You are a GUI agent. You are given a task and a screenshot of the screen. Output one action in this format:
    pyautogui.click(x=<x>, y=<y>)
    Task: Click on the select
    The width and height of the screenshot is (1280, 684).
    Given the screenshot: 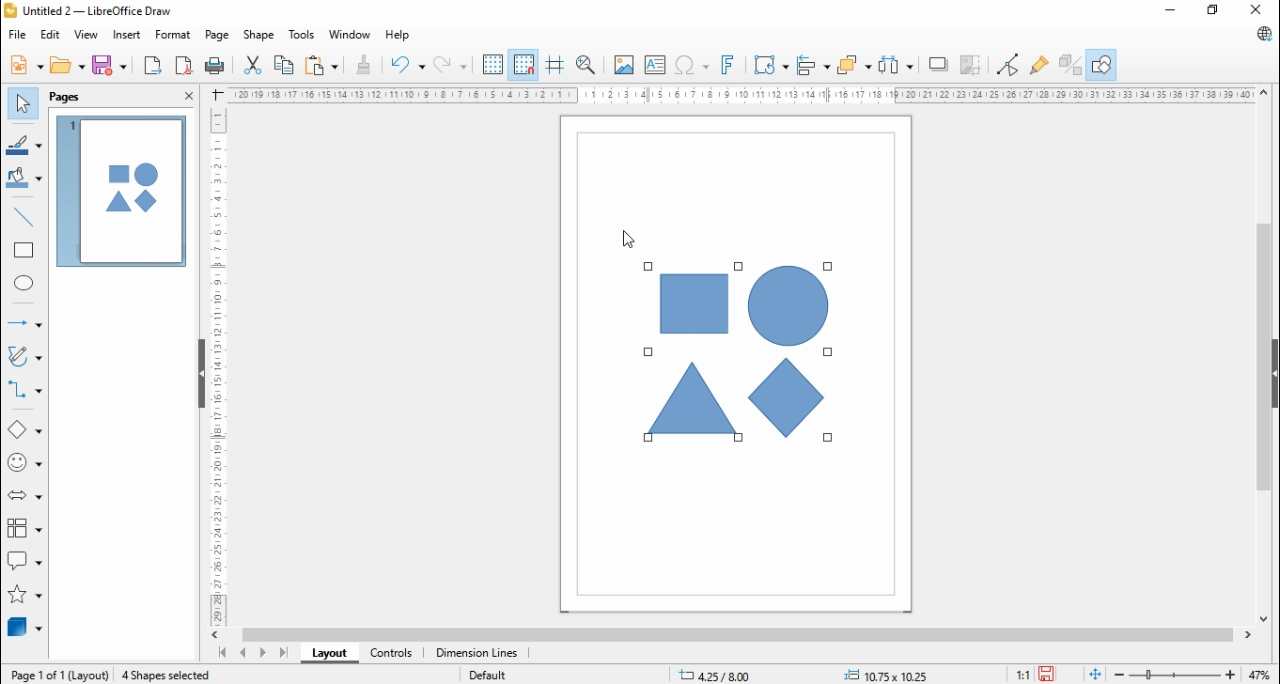 What is the action you would take?
    pyautogui.click(x=23, y=104)
    